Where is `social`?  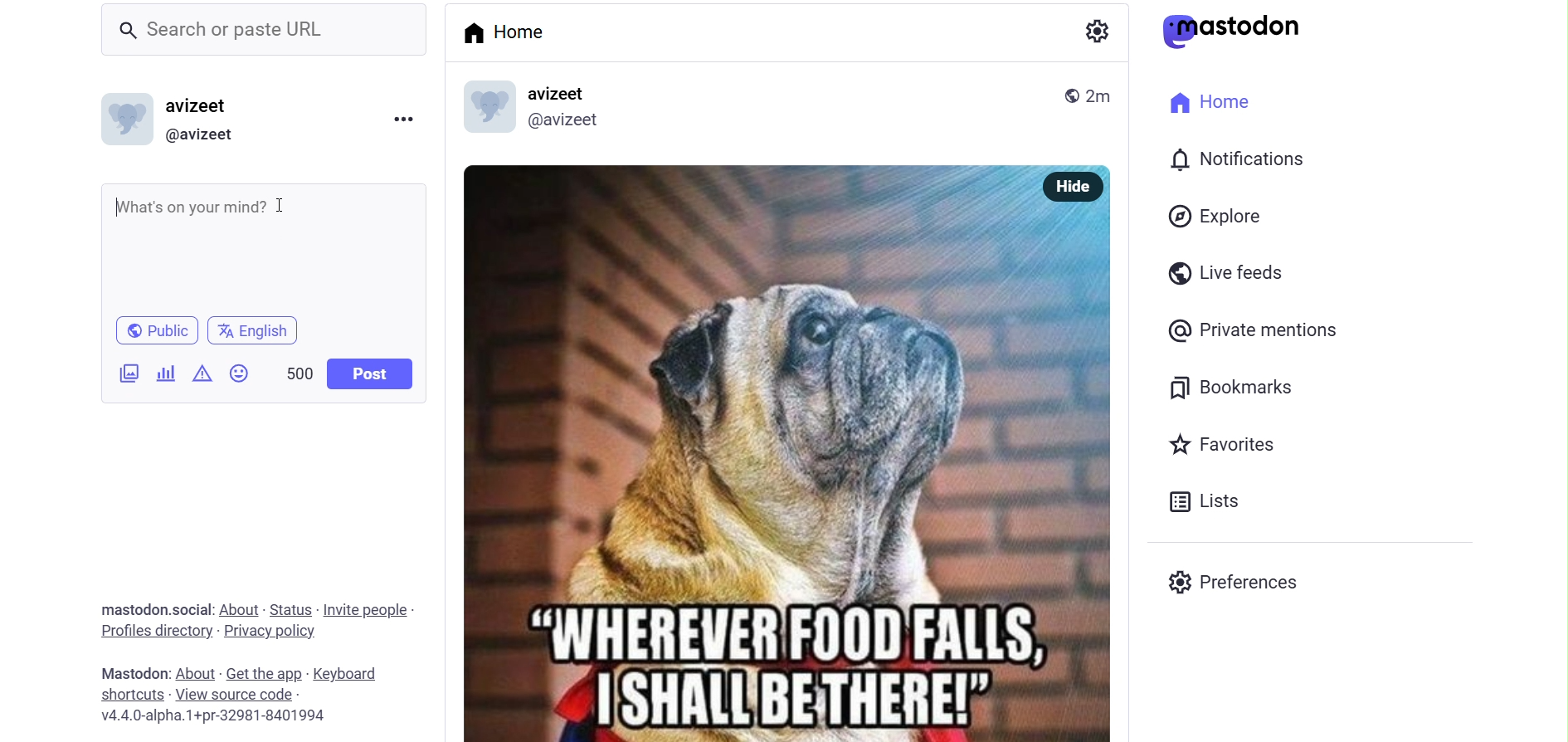 social is located at coordinates (193, 609).